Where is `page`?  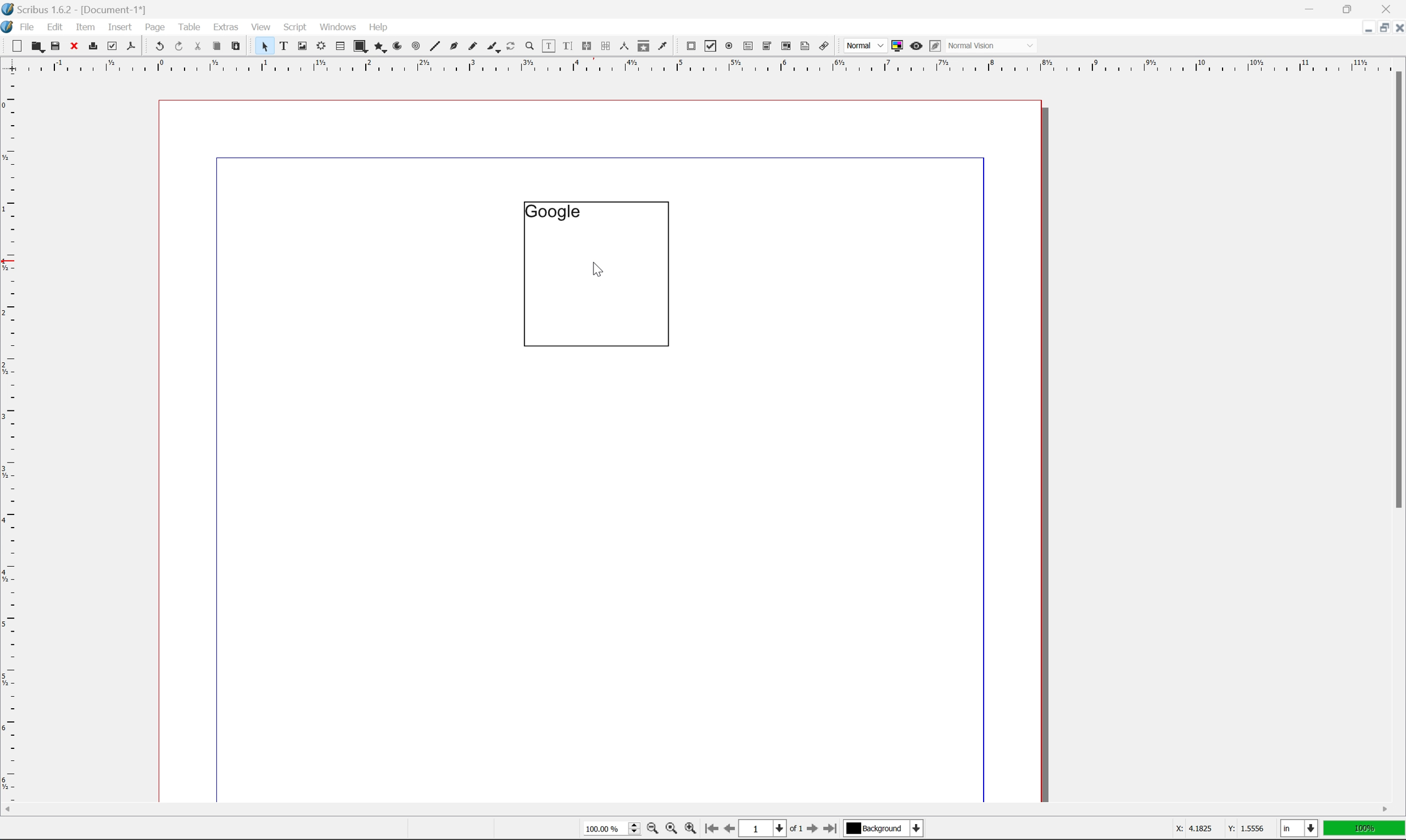
page is located at coordinates (155, 27).